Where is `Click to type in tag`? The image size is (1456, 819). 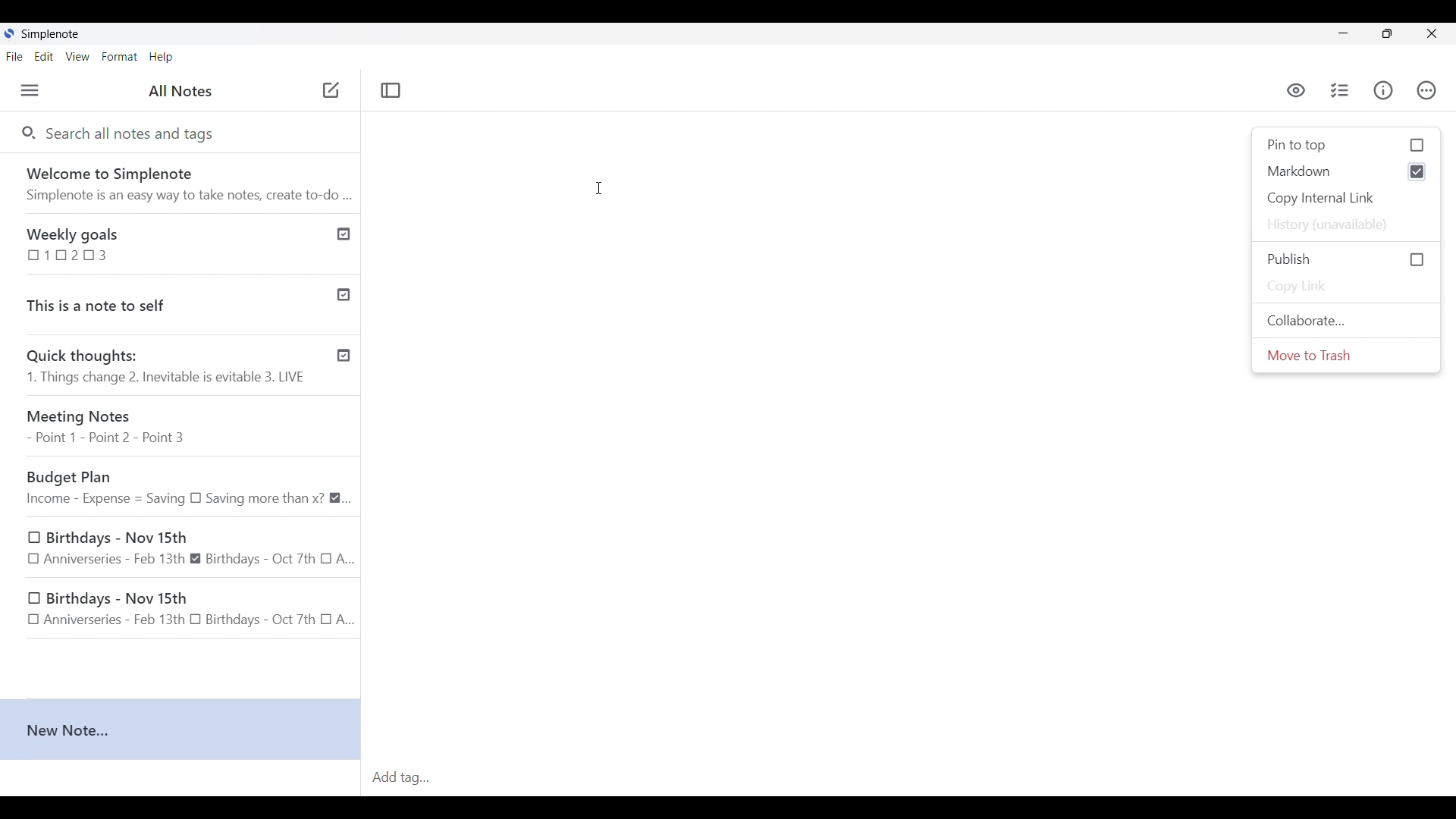 Click to type in tag is located at coordinates (910, 778).